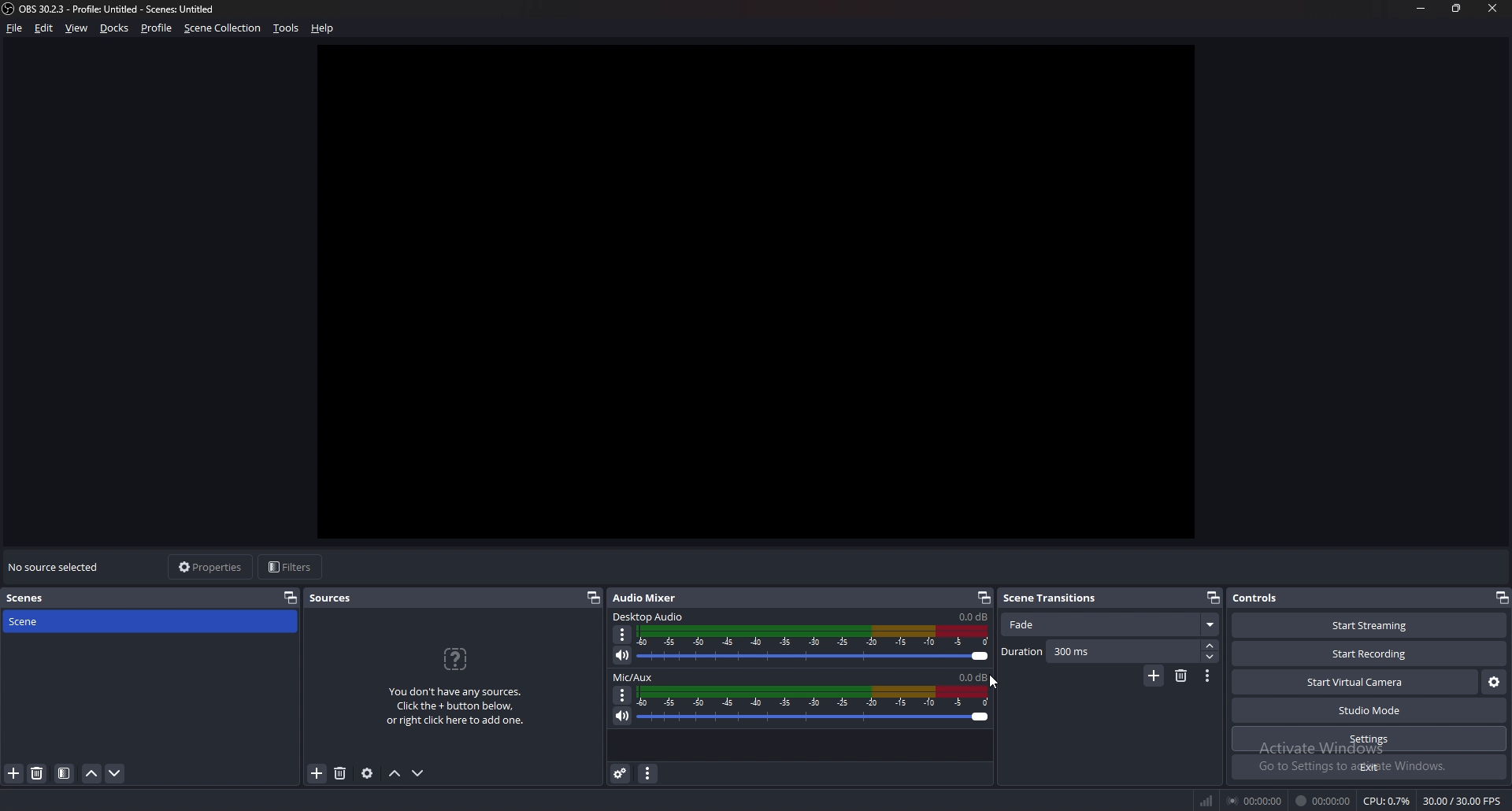 The width and height of the screenshot is (1512, 811). What do you see at coordinates (816, 705) in the screenshot?
I see `audio bar` at bounding box center [816, 705].